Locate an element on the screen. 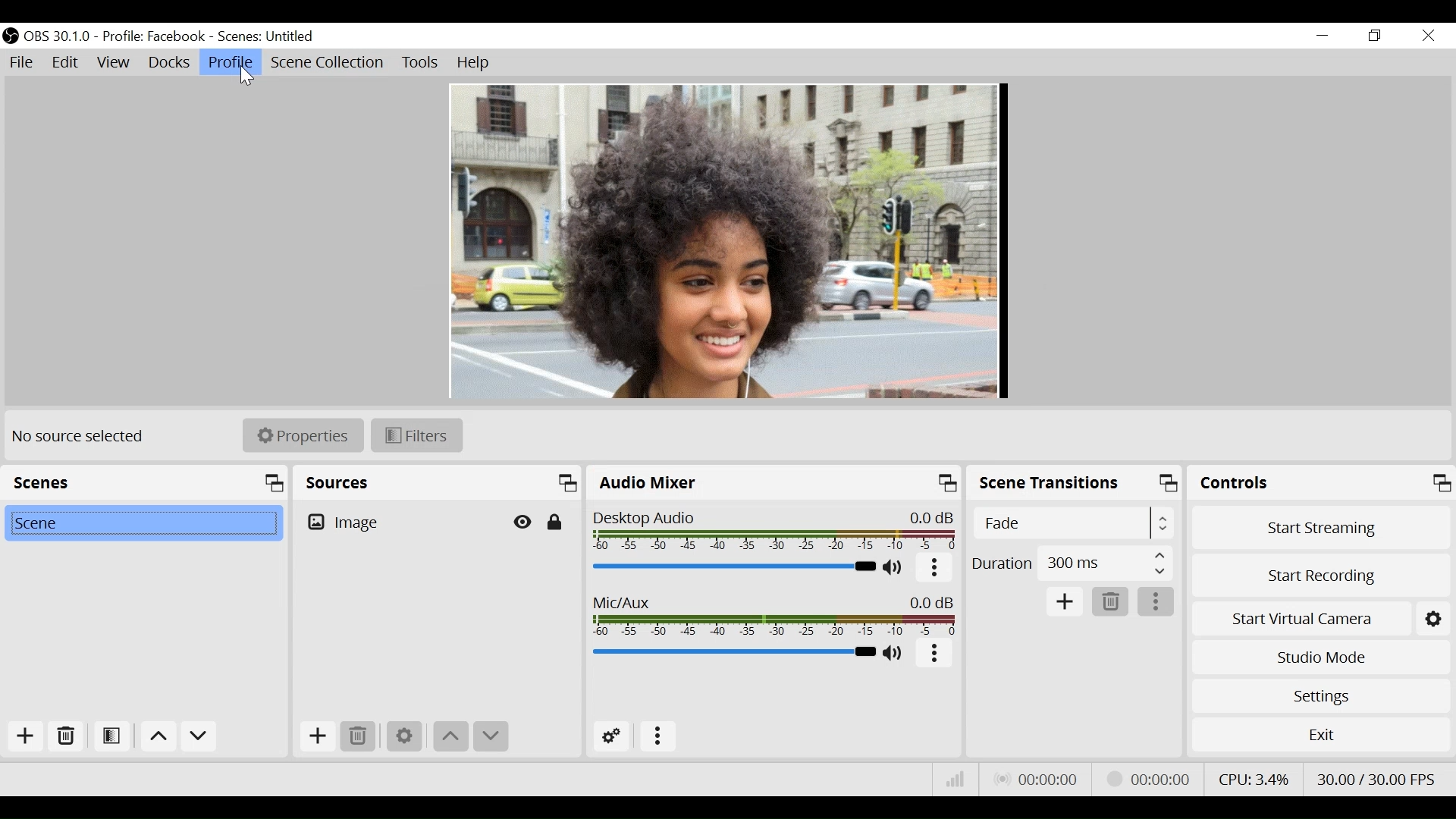 This screenshot has width=1456, height=819. Docks is located at coordinates (169, 63).